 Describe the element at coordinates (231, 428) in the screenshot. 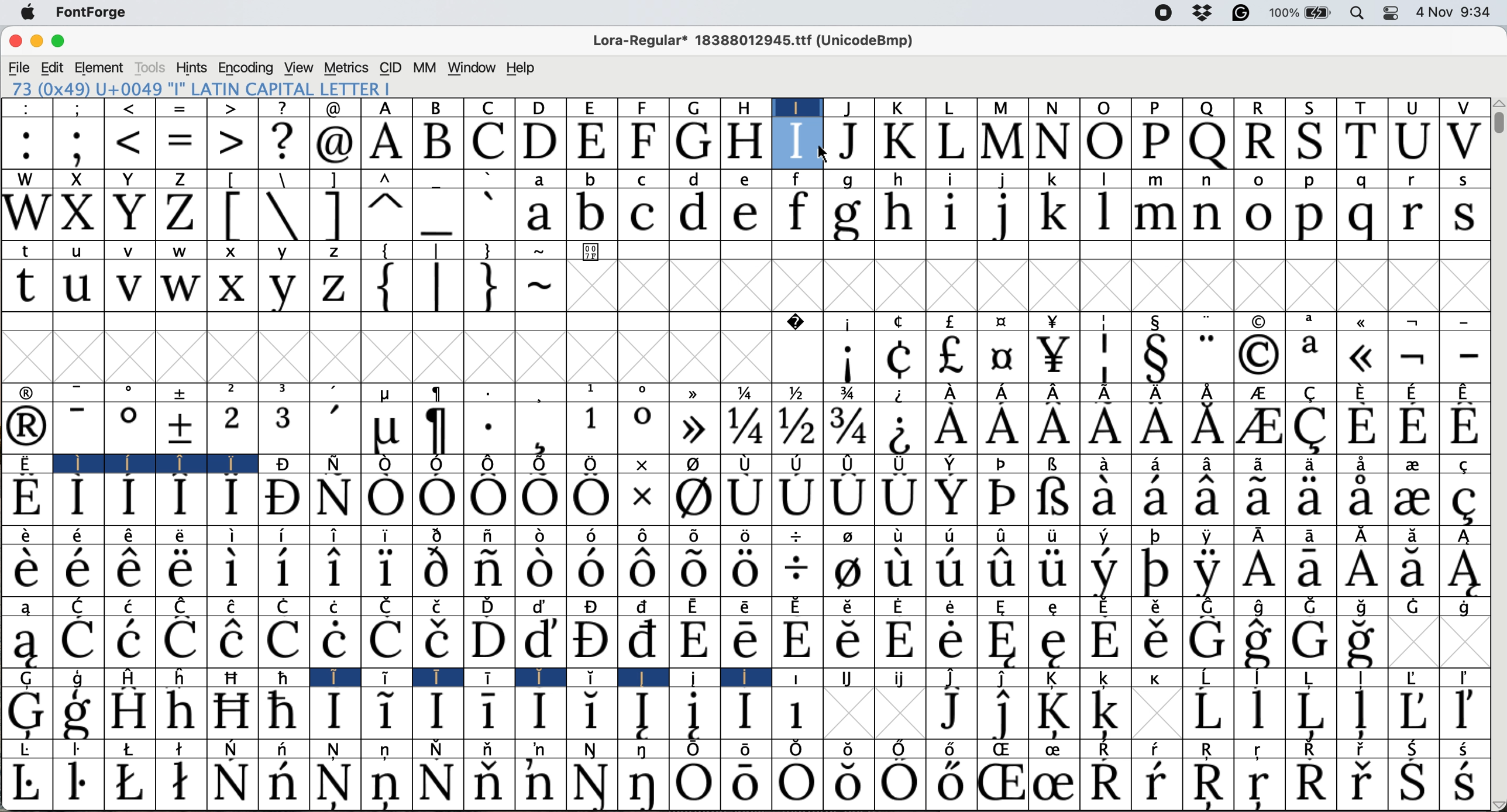

I see `2` at that location.